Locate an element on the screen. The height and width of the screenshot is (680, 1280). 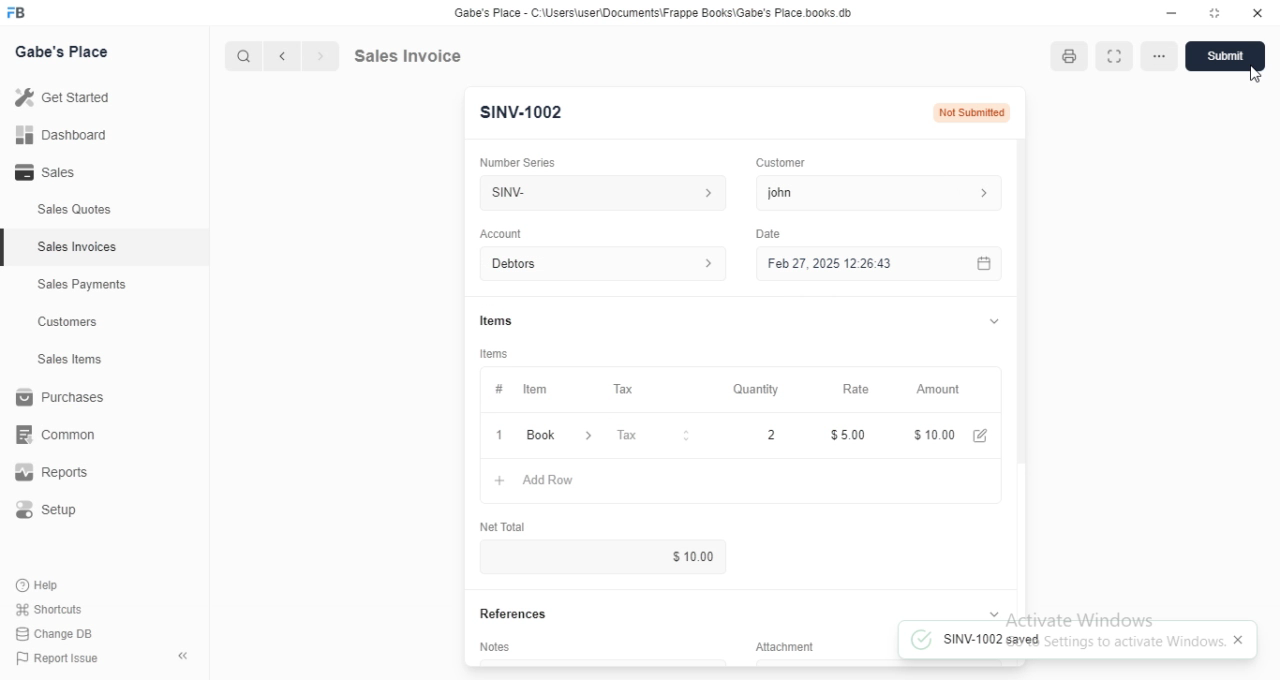
Next is located at coordinates (319, 54).